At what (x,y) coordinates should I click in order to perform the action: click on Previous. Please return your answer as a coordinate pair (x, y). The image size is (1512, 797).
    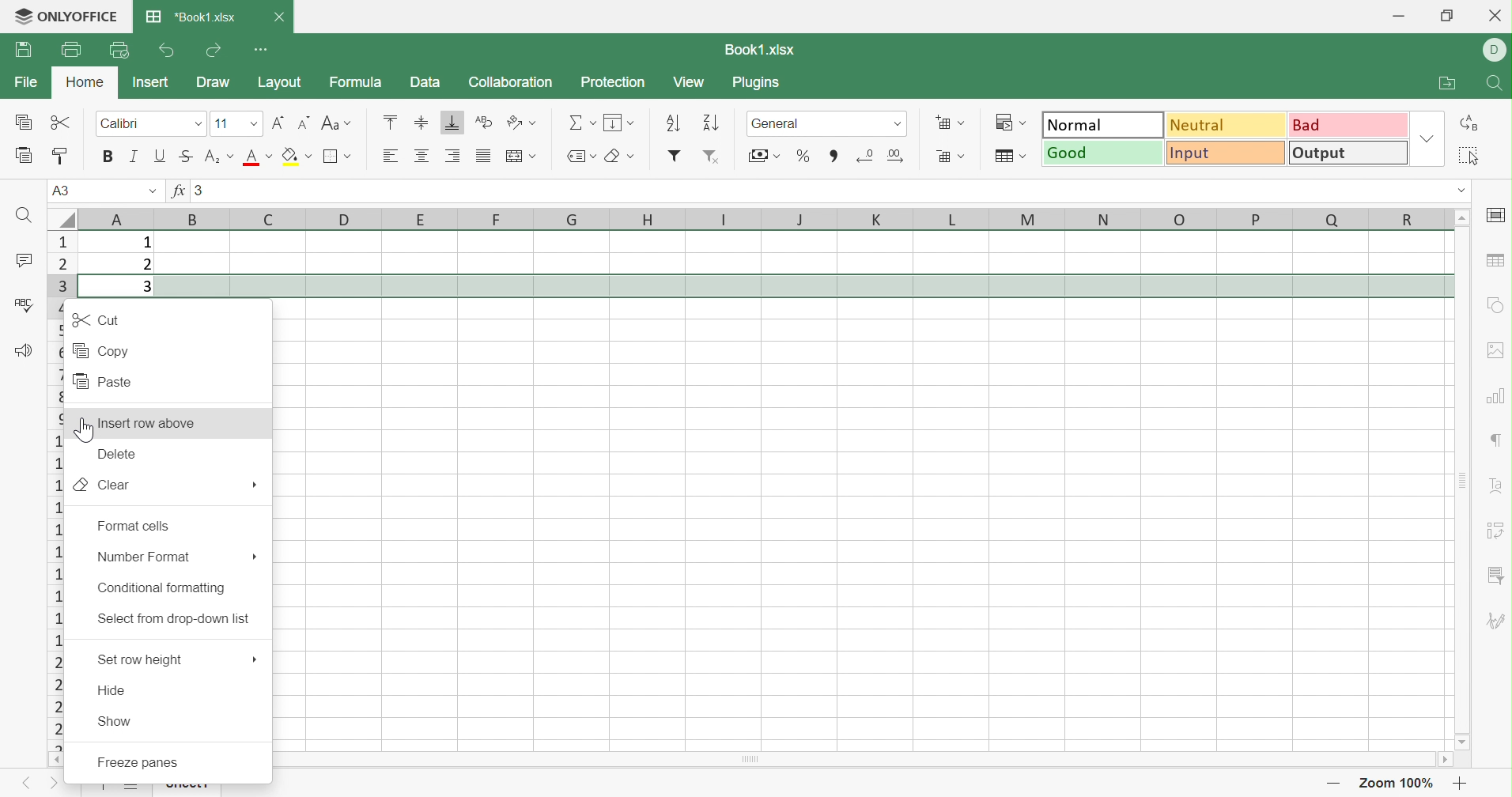
    Looking at the image, I should click on (28, 782).